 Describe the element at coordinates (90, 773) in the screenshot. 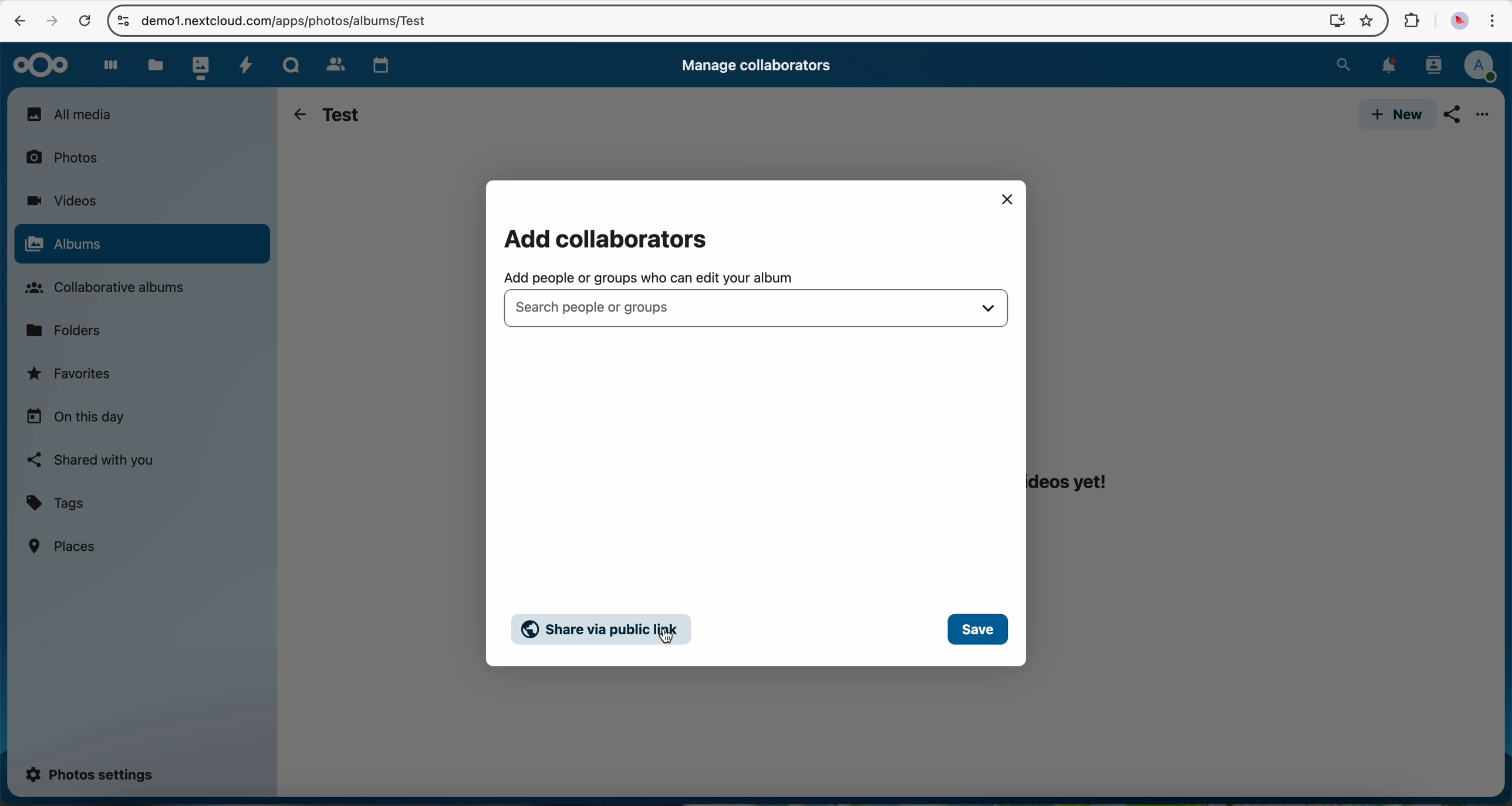

I see `photos settings` at that location.